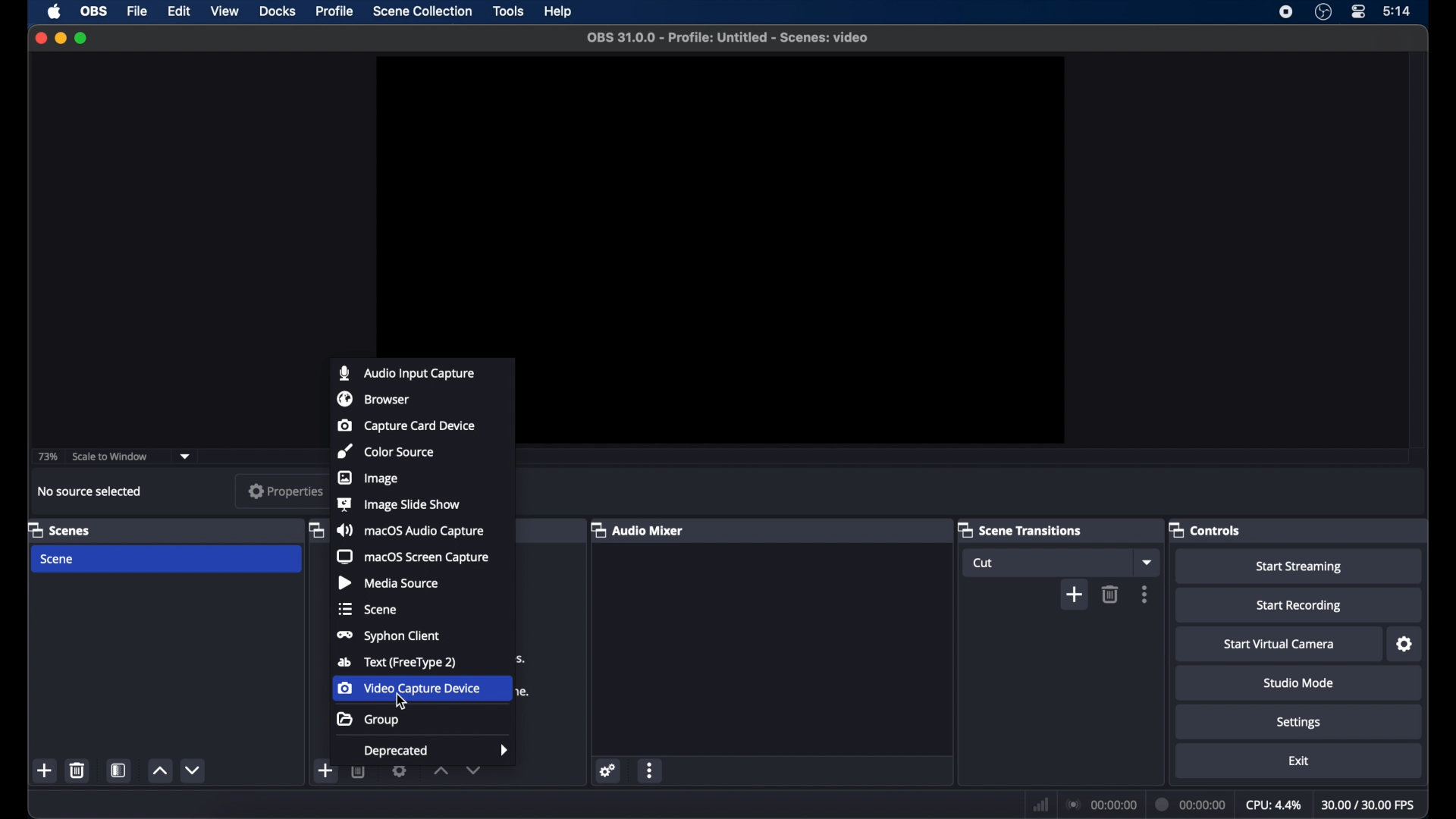 This screenshot has width=1456, height=819. I want to click on help, so click(561, 11).